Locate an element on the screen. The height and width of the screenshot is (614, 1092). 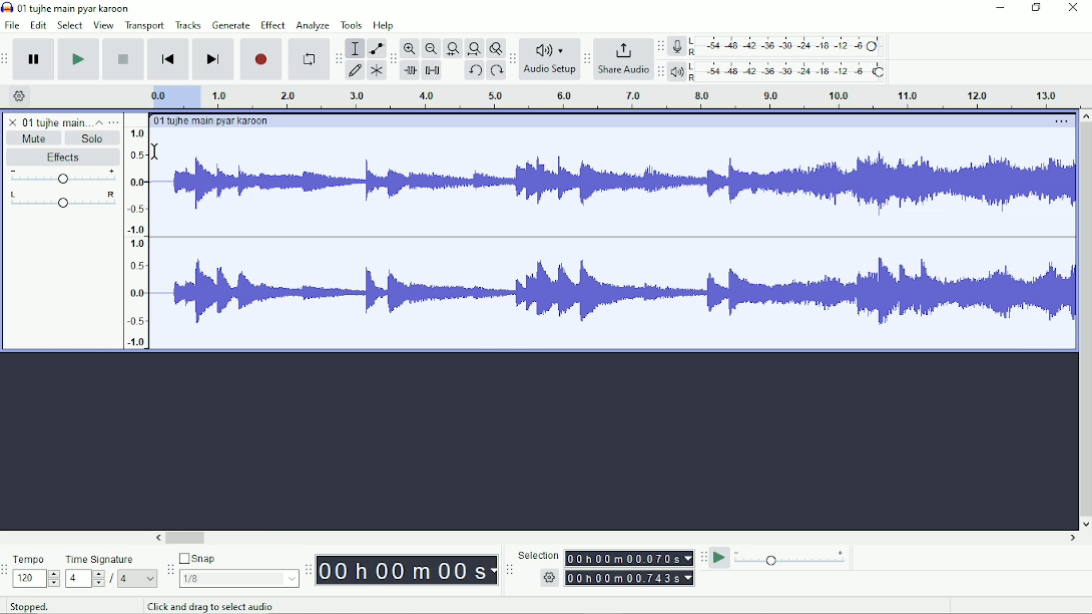
Zoom toggle is located at coordinates (495, 48).